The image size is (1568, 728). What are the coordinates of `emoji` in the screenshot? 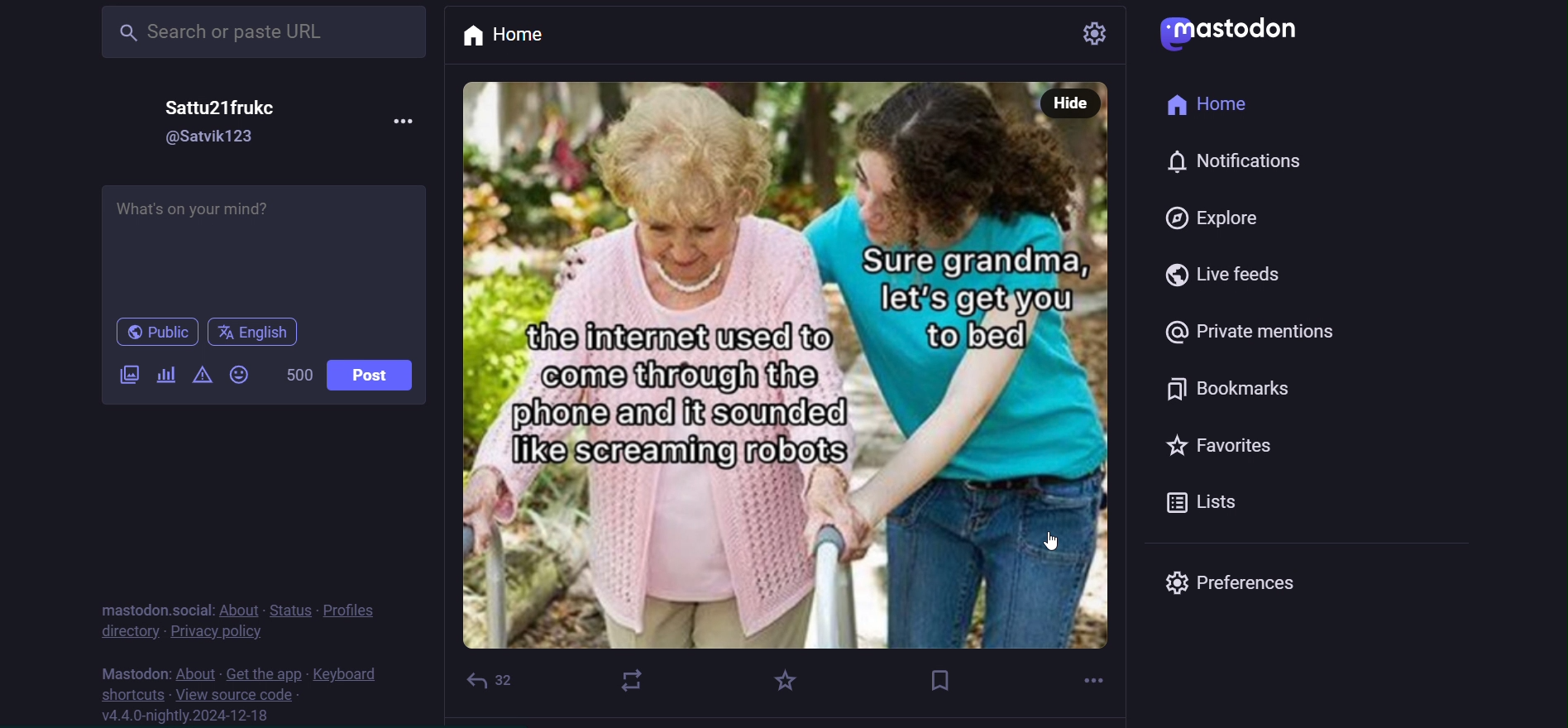 It's located at (238, 372).